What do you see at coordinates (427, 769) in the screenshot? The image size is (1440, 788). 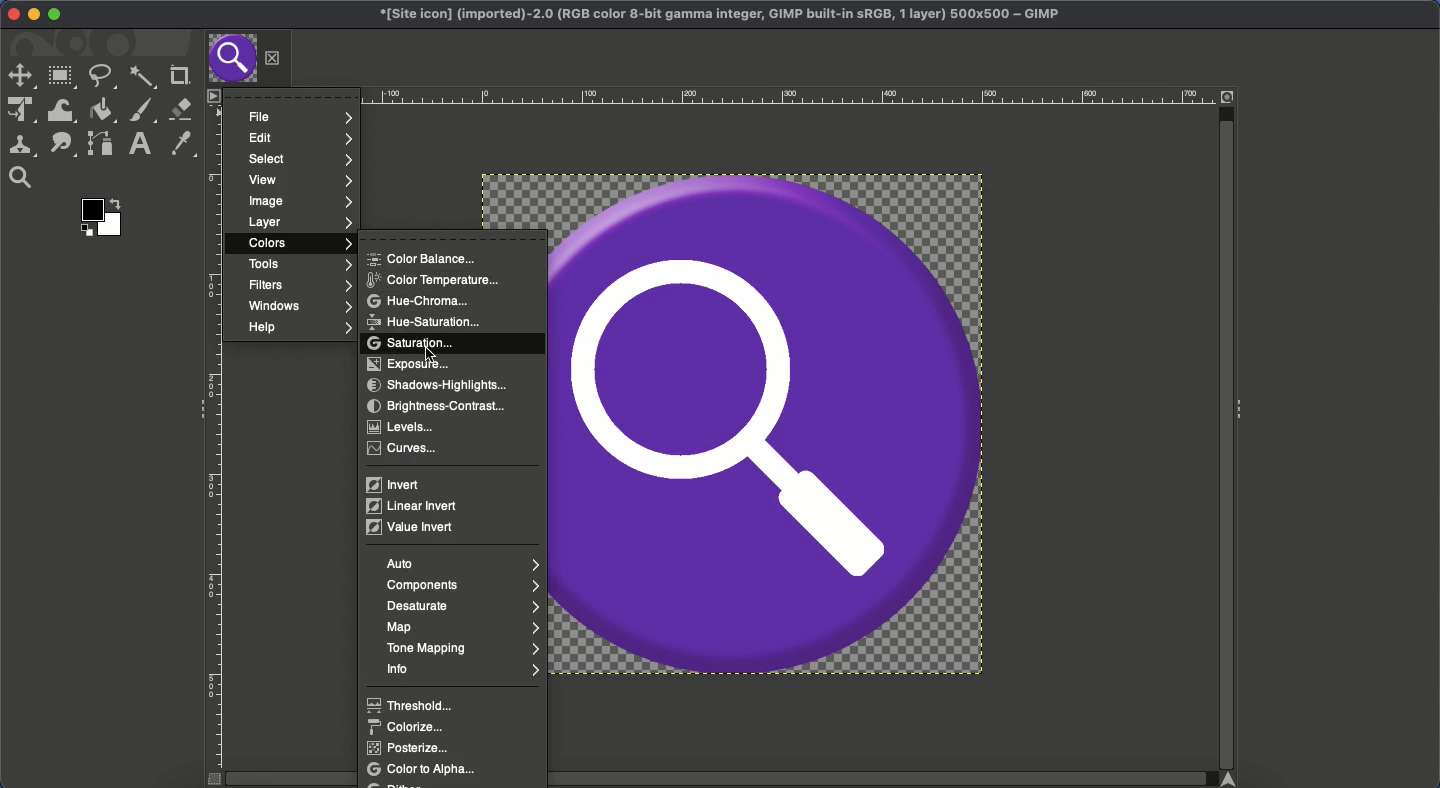 I see `Color to alpha` at bounding box center [427, 769].